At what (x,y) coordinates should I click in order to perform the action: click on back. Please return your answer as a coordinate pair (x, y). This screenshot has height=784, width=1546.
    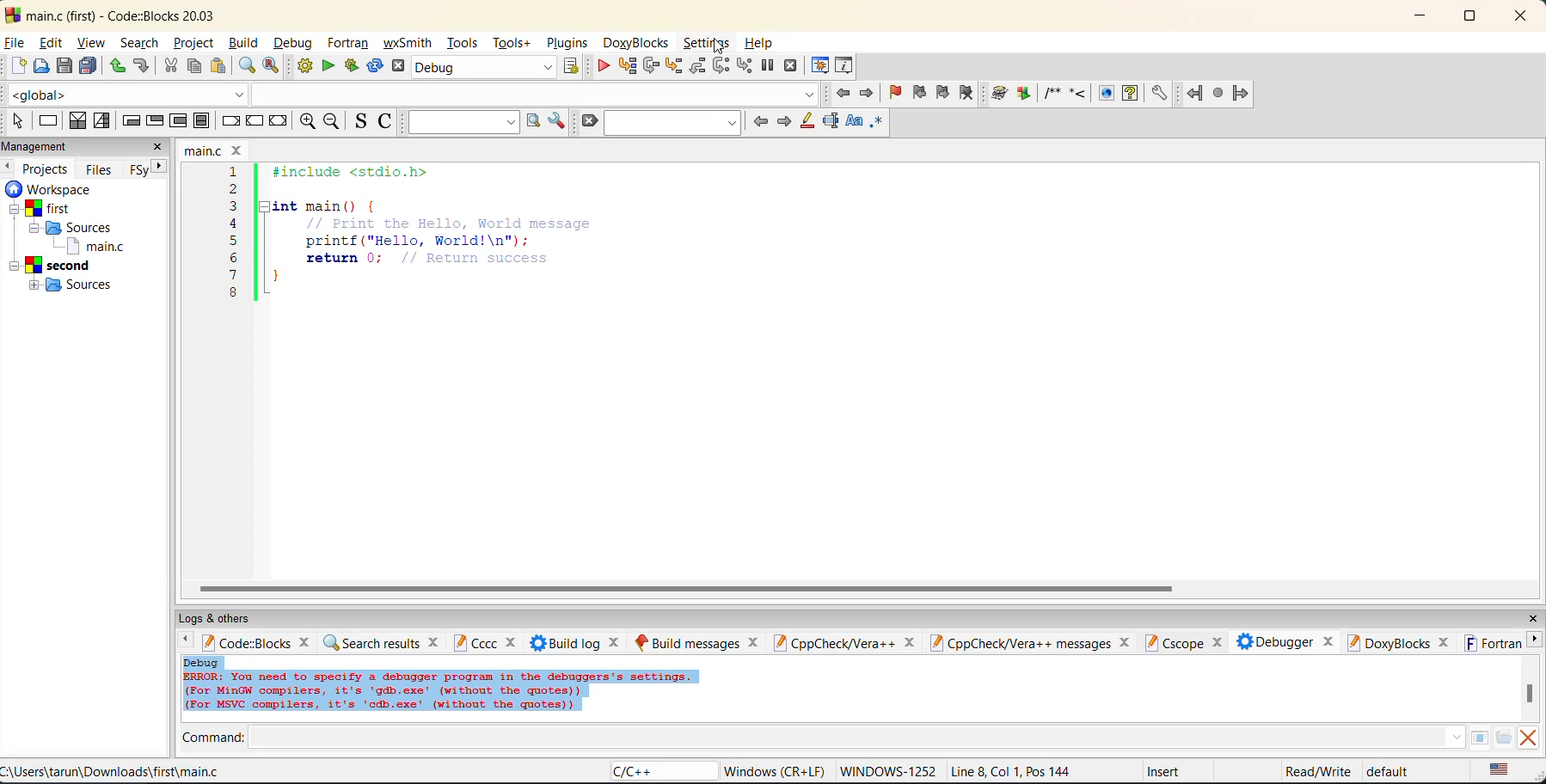
    Looking at the image, I should click on (184, 640).